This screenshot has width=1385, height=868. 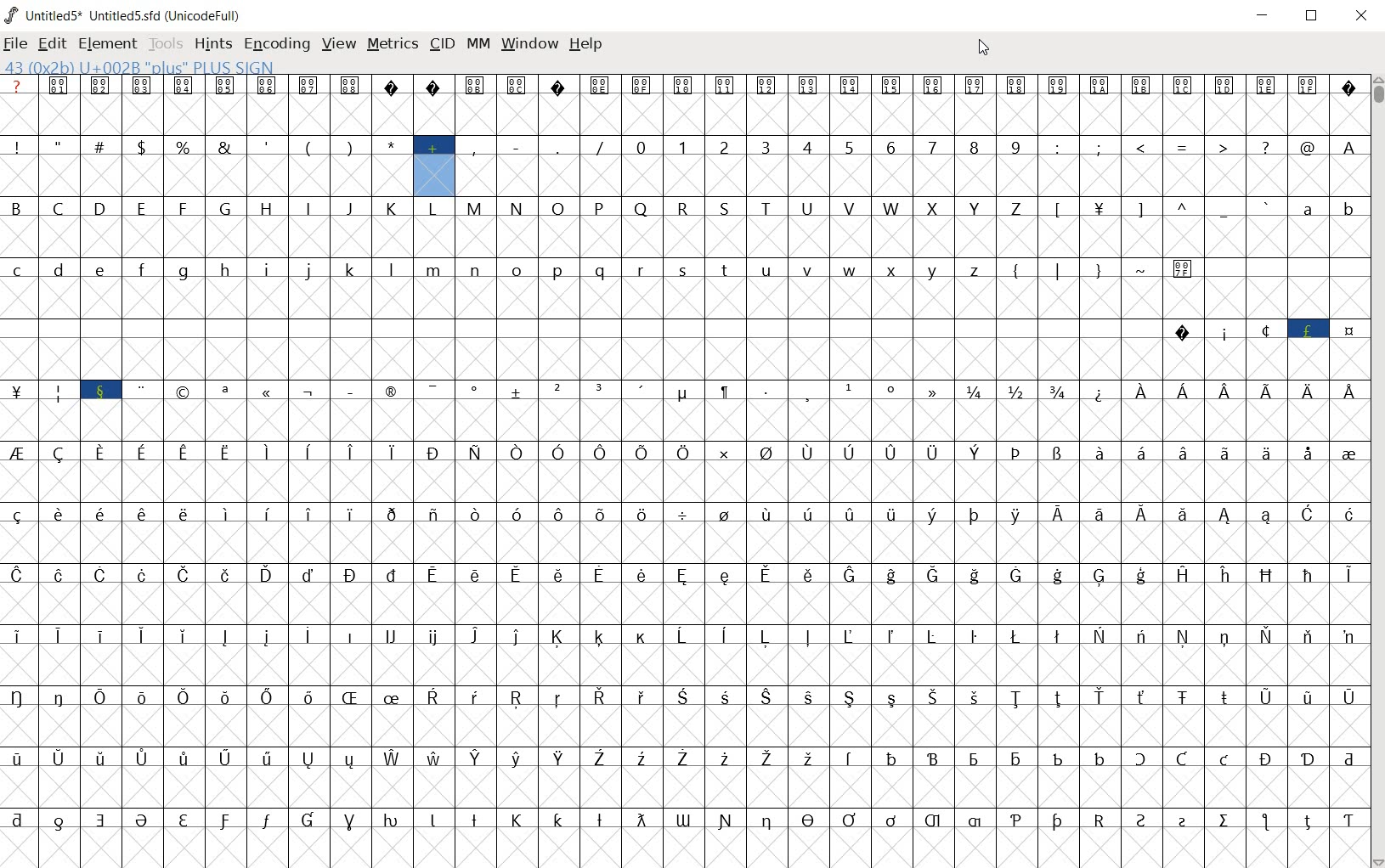 I want to click on UNTITLED5* UNTITLED5.SFD (UNICODEFULL), so click(x=127, y=14).